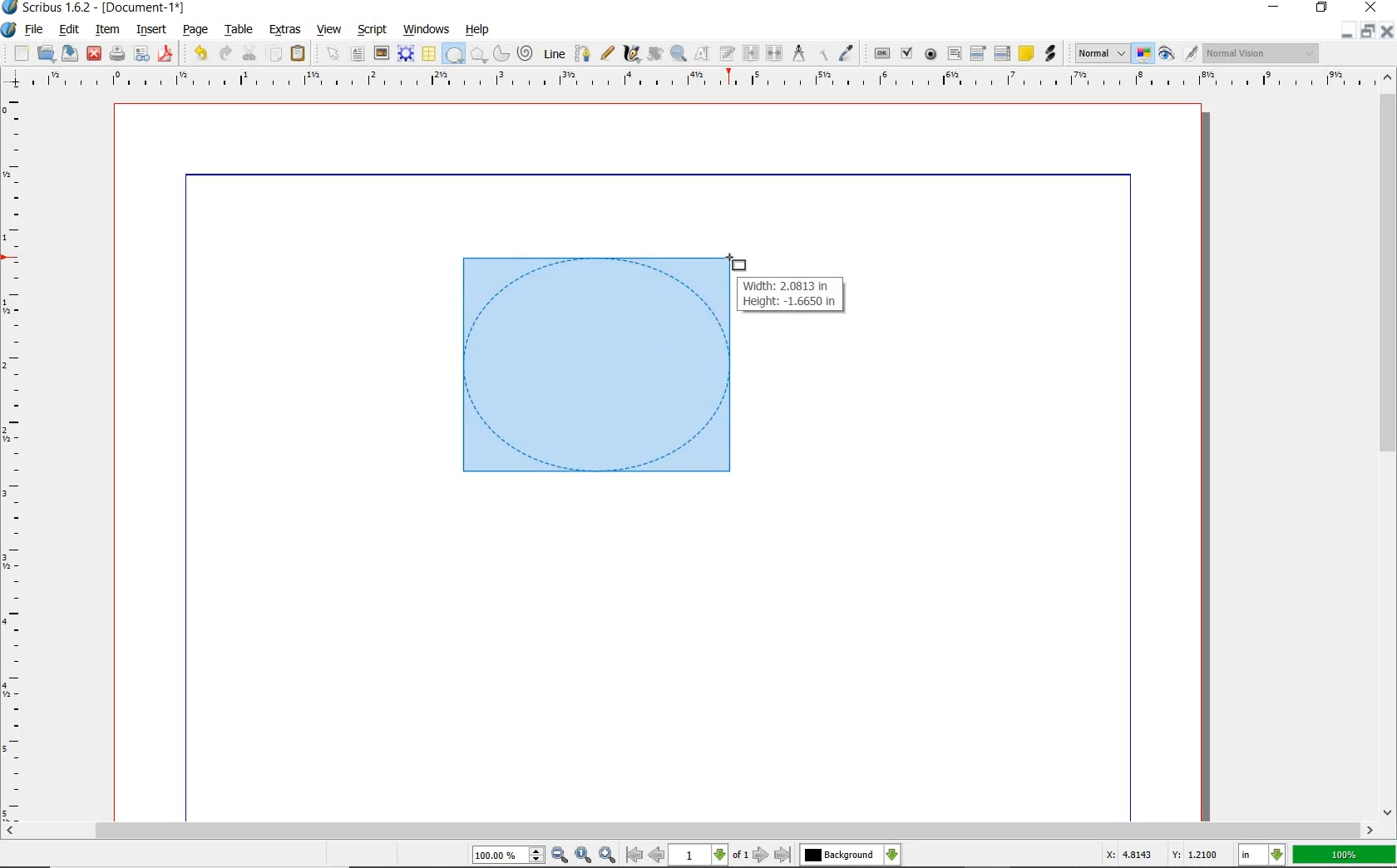  Describe the element at coordinates (1368, 32) in the screenshot. I see `RESTORE` at that location.